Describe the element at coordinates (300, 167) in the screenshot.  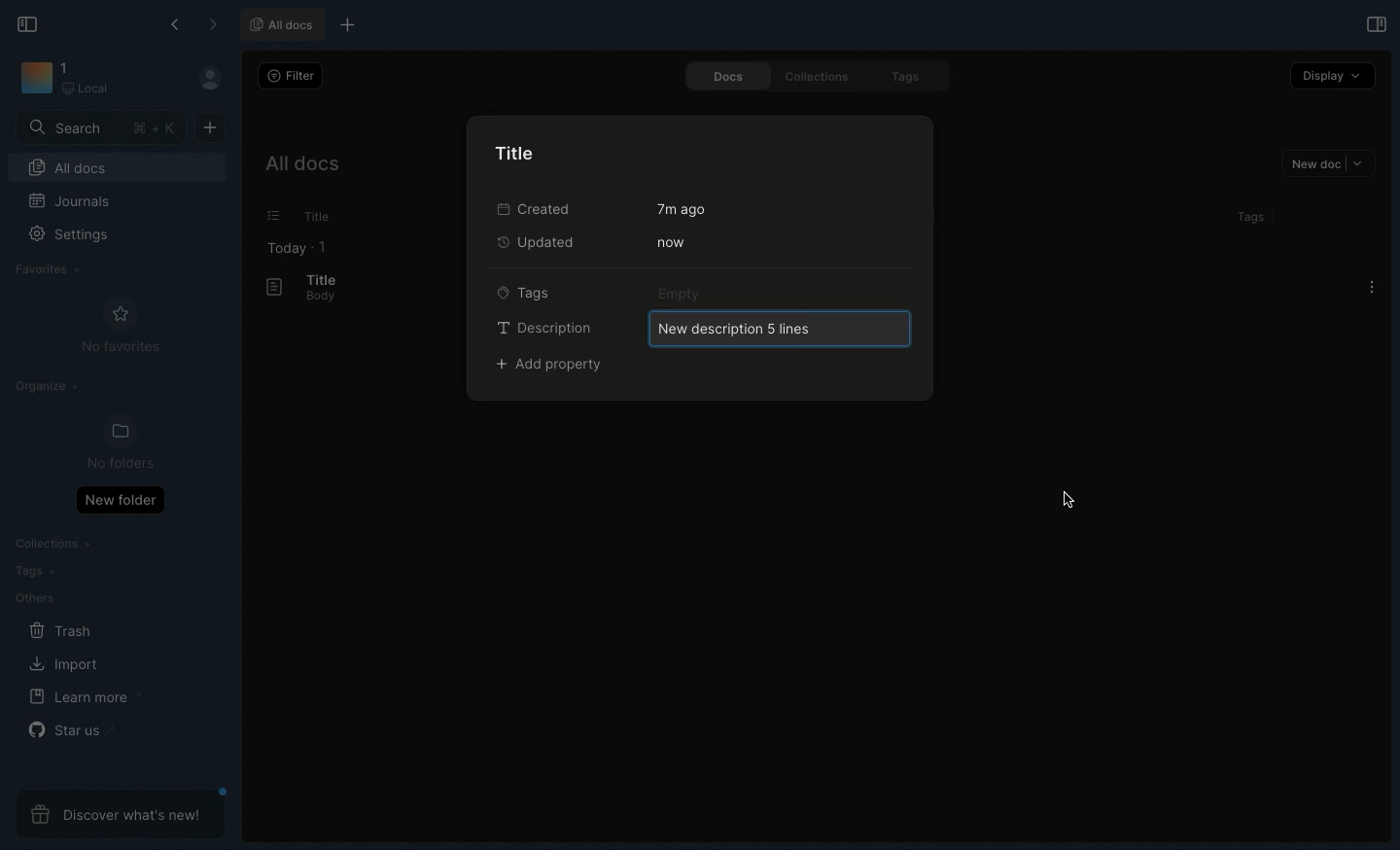
I see `All docs` at that location.